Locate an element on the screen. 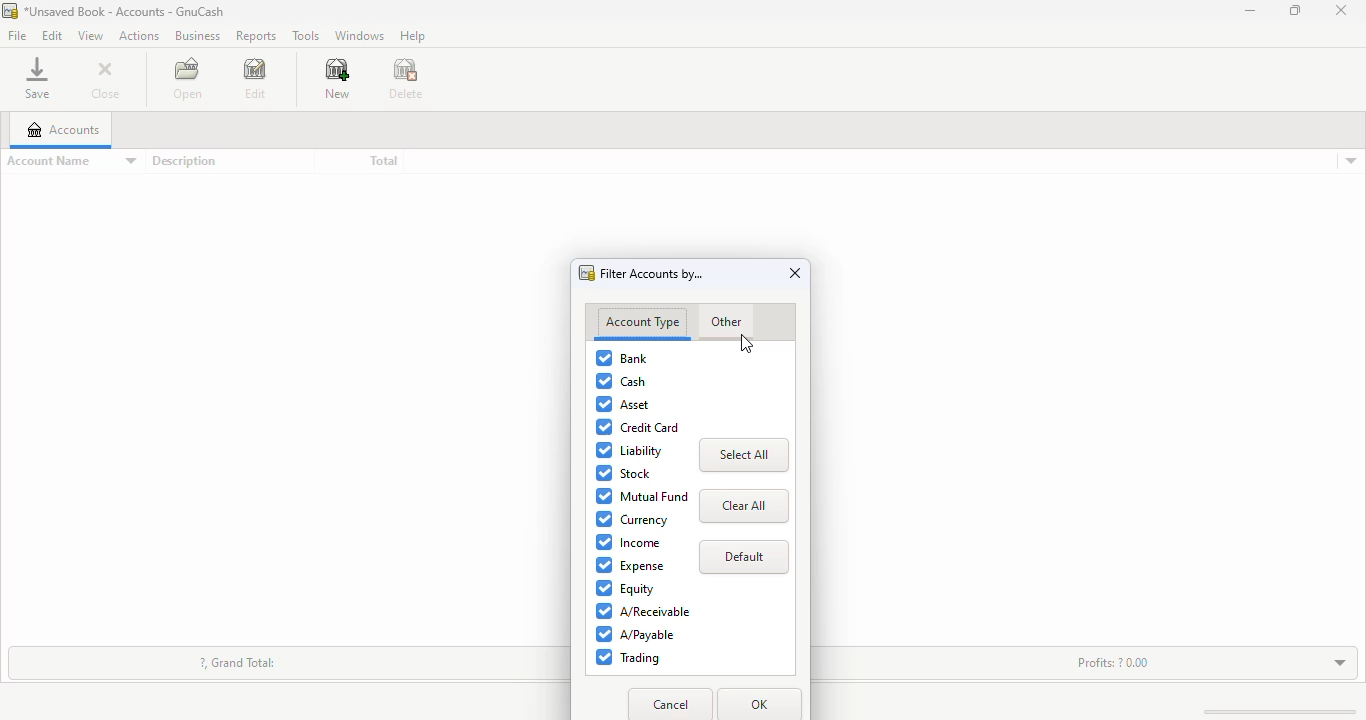 This screenshot has width=1366, height=720. new is located at coordinates (337, 79).